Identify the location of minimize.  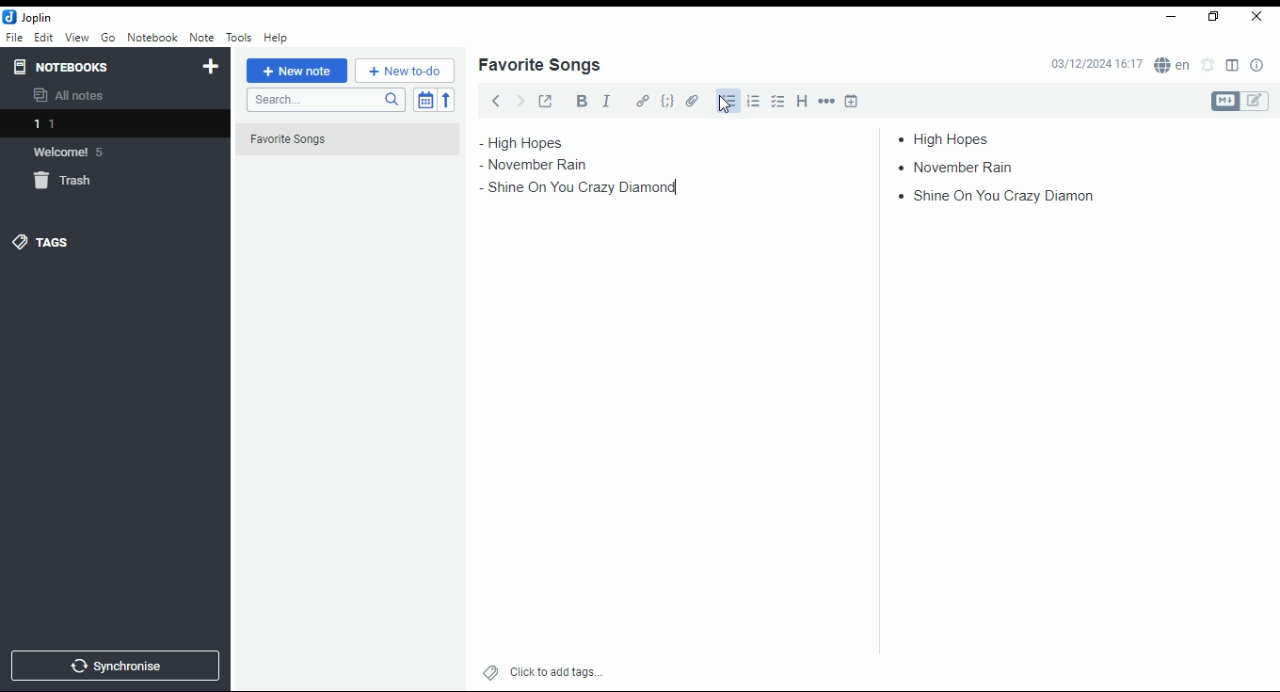
(1168, 18).